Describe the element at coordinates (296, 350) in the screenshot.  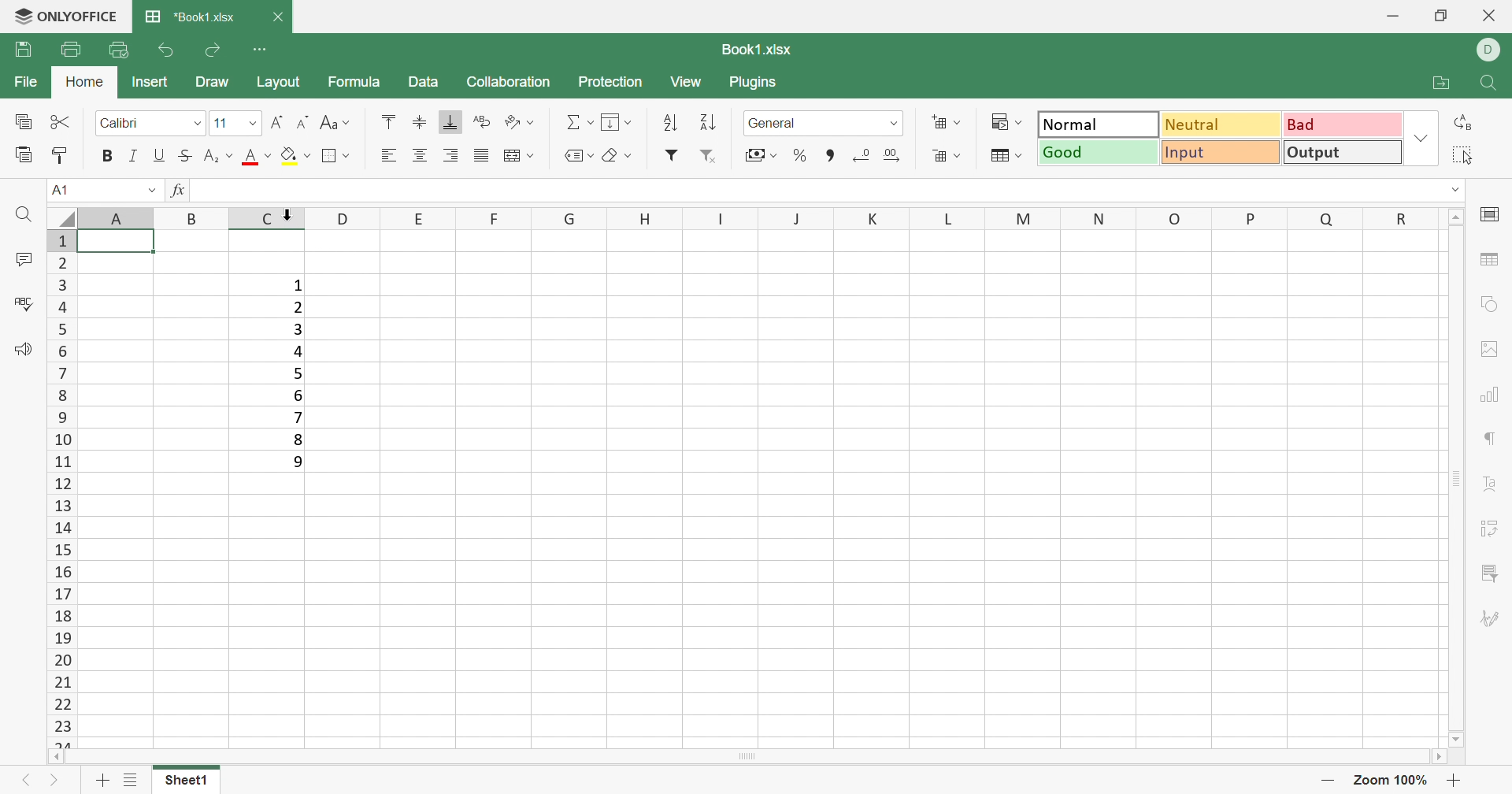
I see `4` at that location.